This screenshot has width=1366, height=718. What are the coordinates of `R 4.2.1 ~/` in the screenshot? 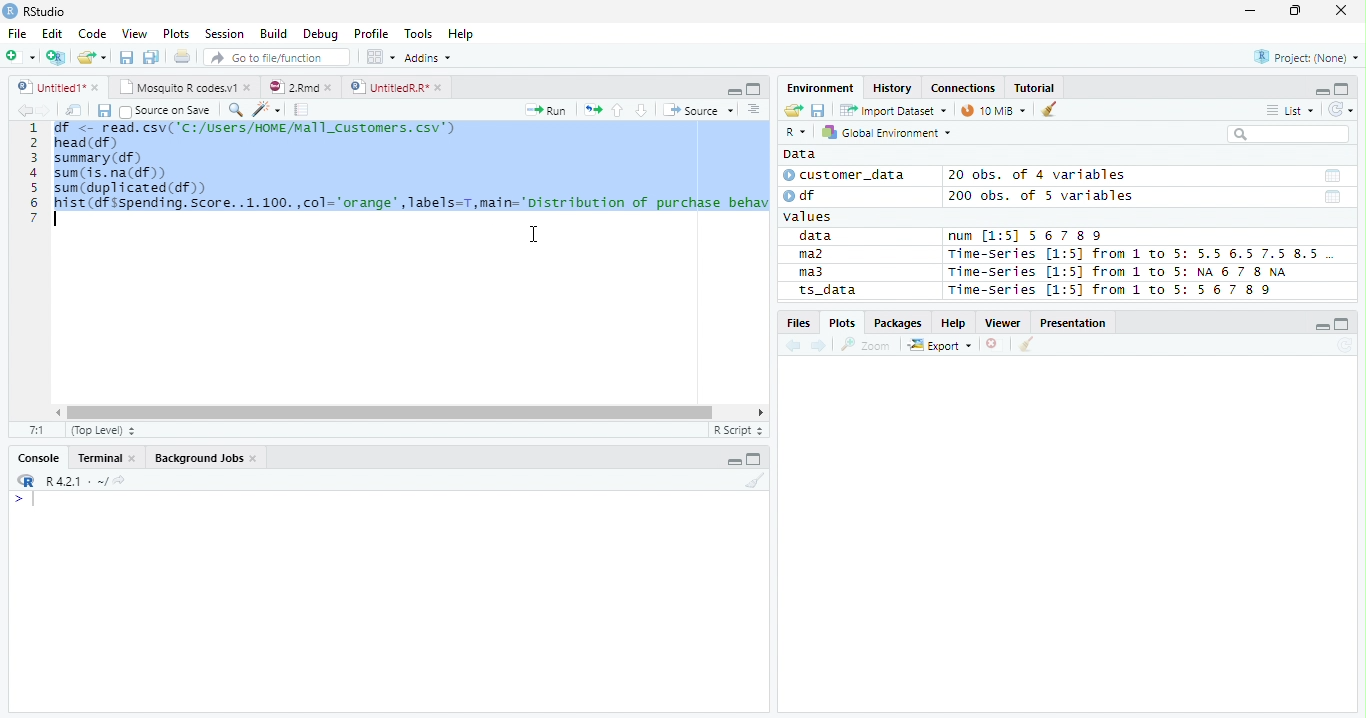 It's located at (75, 480).